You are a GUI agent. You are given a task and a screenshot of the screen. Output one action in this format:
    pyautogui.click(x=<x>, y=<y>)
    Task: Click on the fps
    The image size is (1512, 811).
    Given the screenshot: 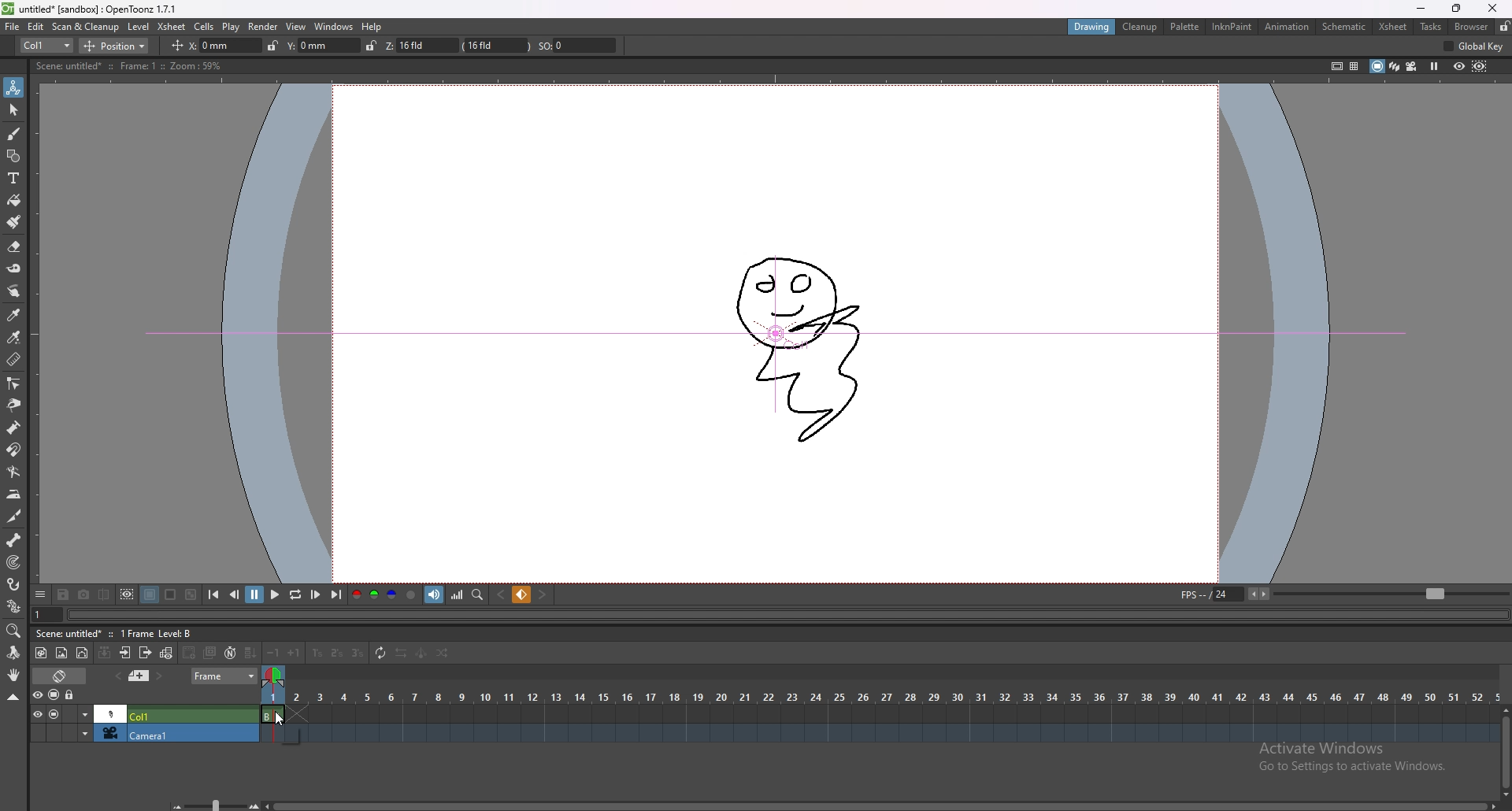 What is the action you would take?
    pyautogui.click(x=1340, y=594)
    